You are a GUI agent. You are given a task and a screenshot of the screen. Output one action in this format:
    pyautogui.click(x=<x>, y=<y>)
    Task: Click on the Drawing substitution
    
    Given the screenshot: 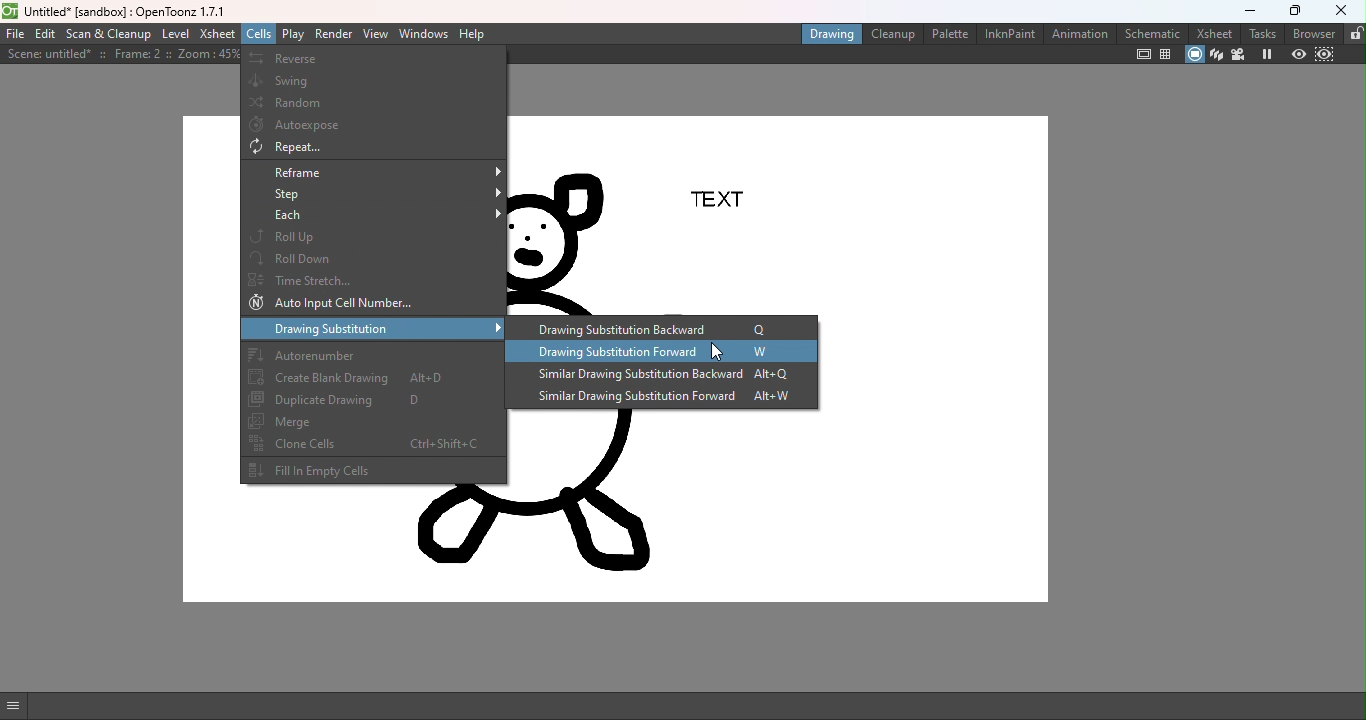 What is the action you would take?
    pyautogui.click(x=376, y=331)
    